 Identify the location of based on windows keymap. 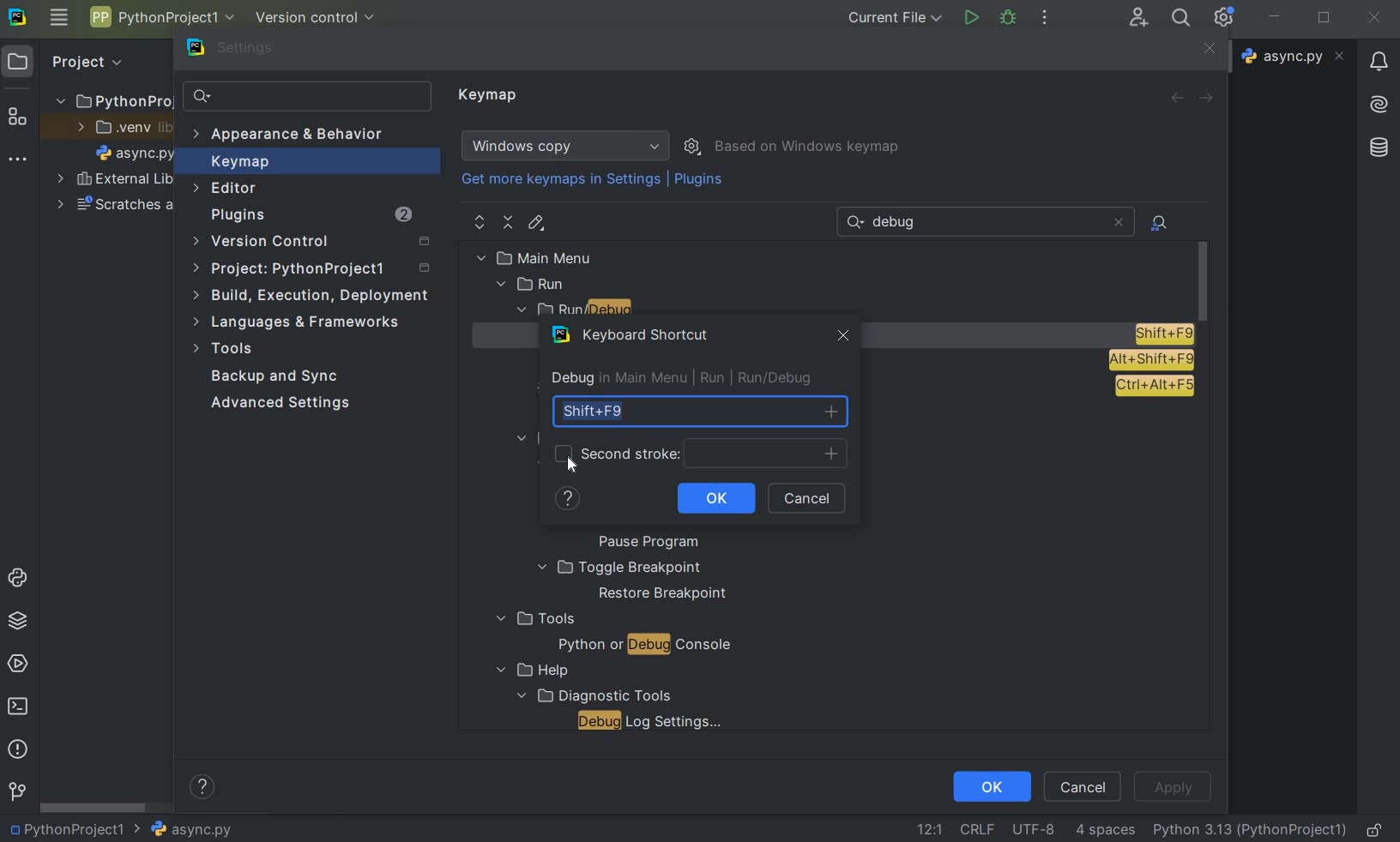
(808, 147).